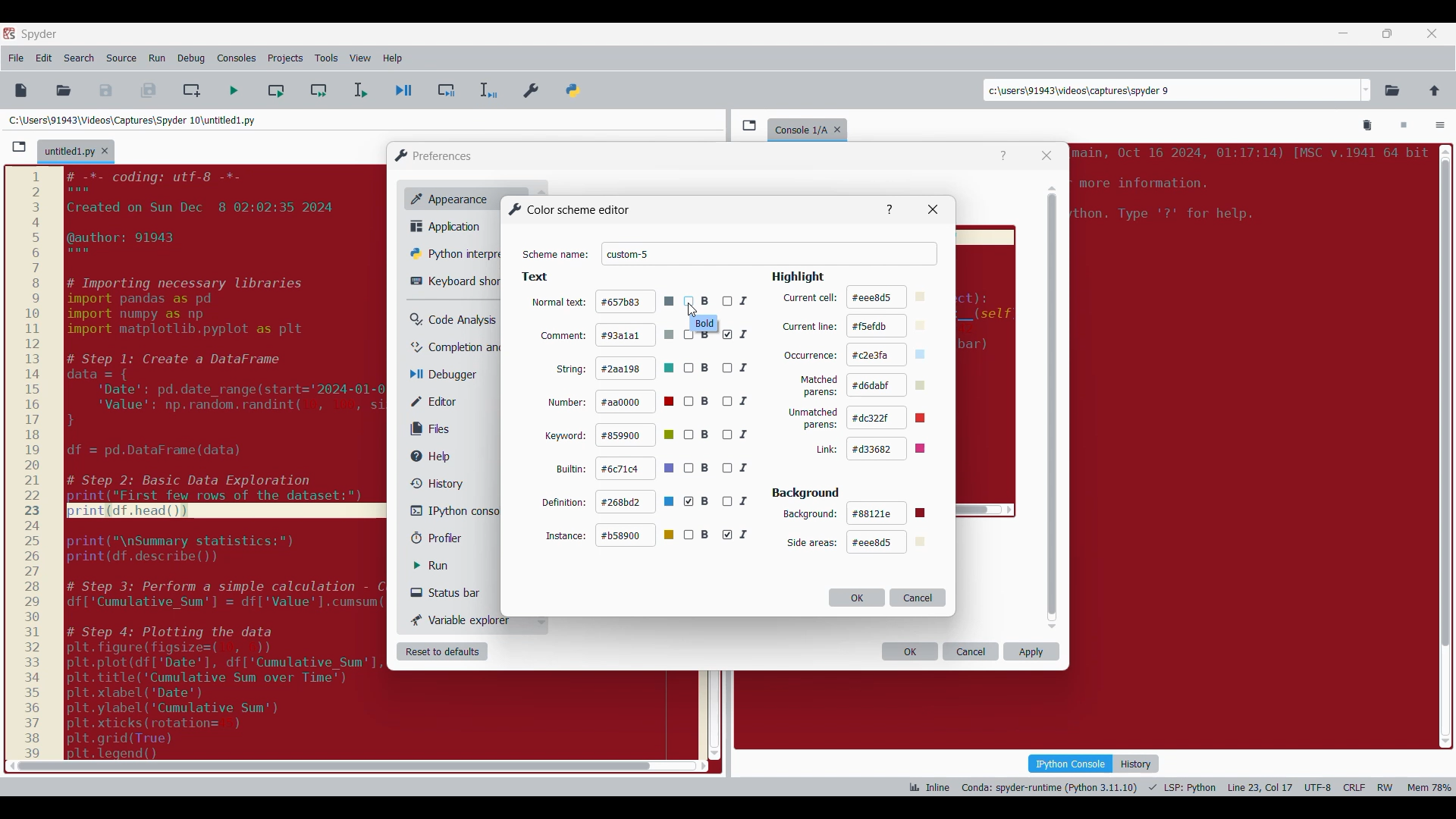 The height and width of the screenshot is (819, 1456). I want to click on scroll bar, so click(1443, 442).